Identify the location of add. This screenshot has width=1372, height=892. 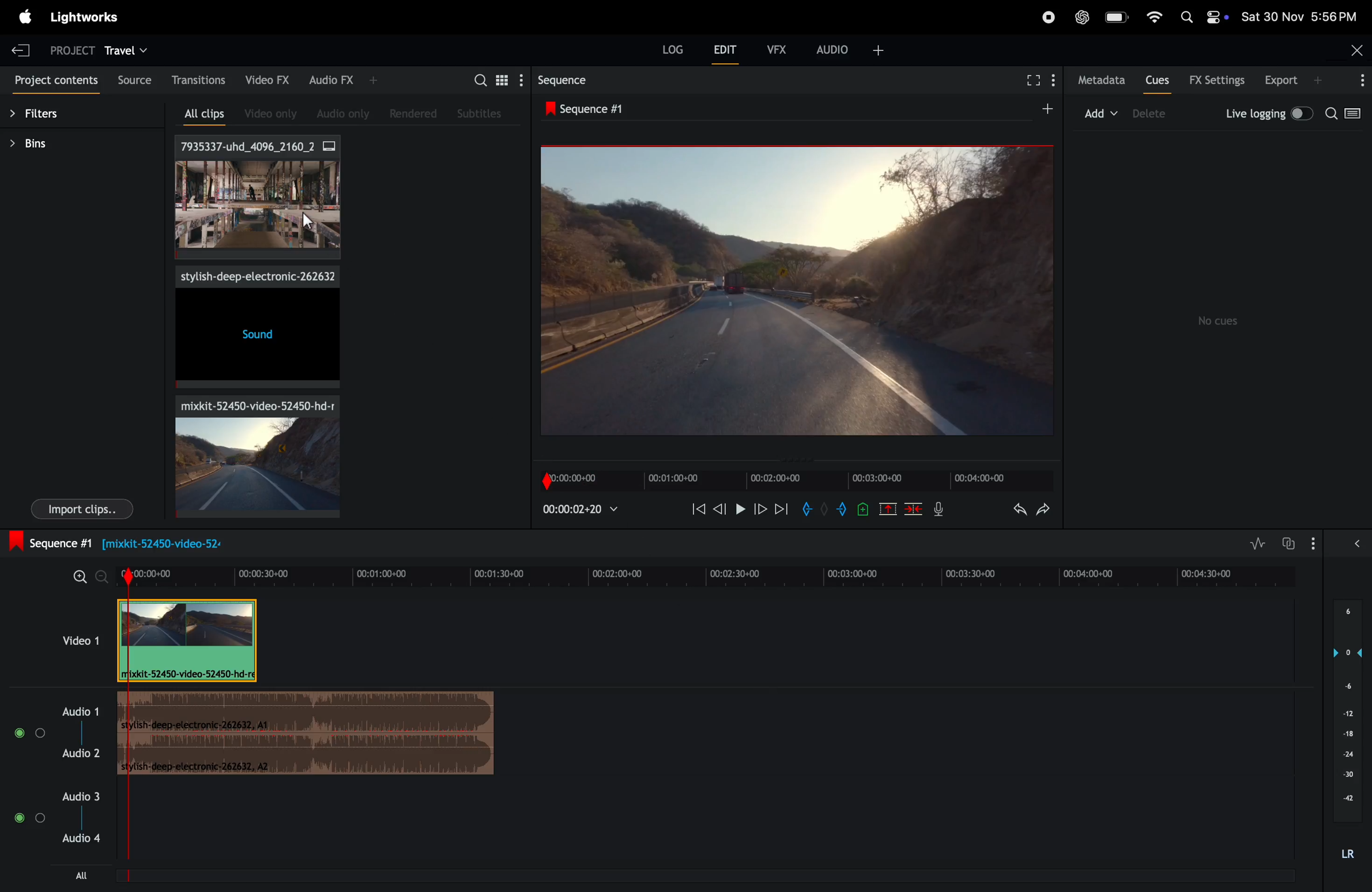
(1039, 110).